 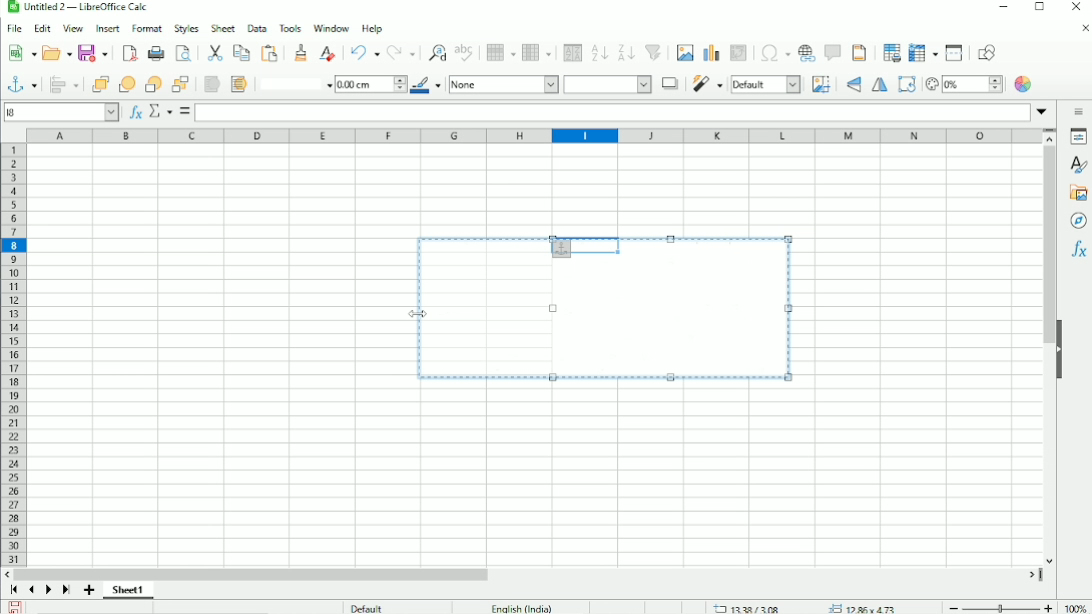 I want to click on Image mode, so click(x=766, y=84).